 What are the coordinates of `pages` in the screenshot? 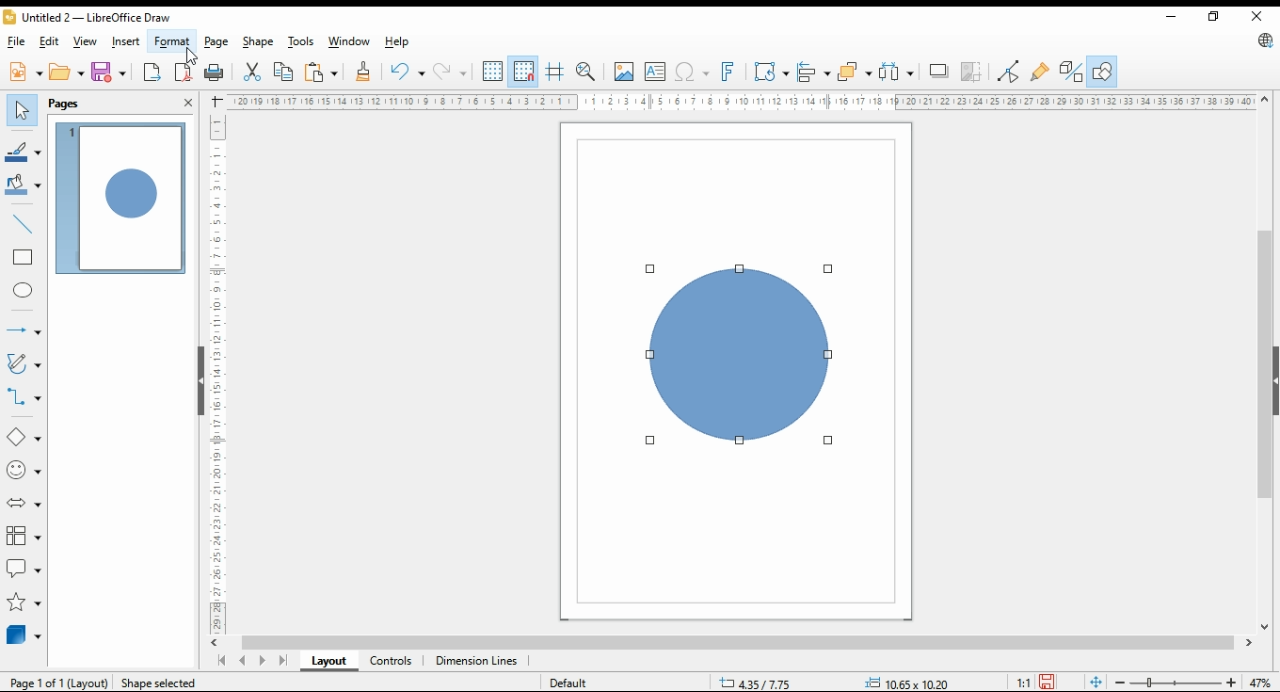 It's located at (64, 105).